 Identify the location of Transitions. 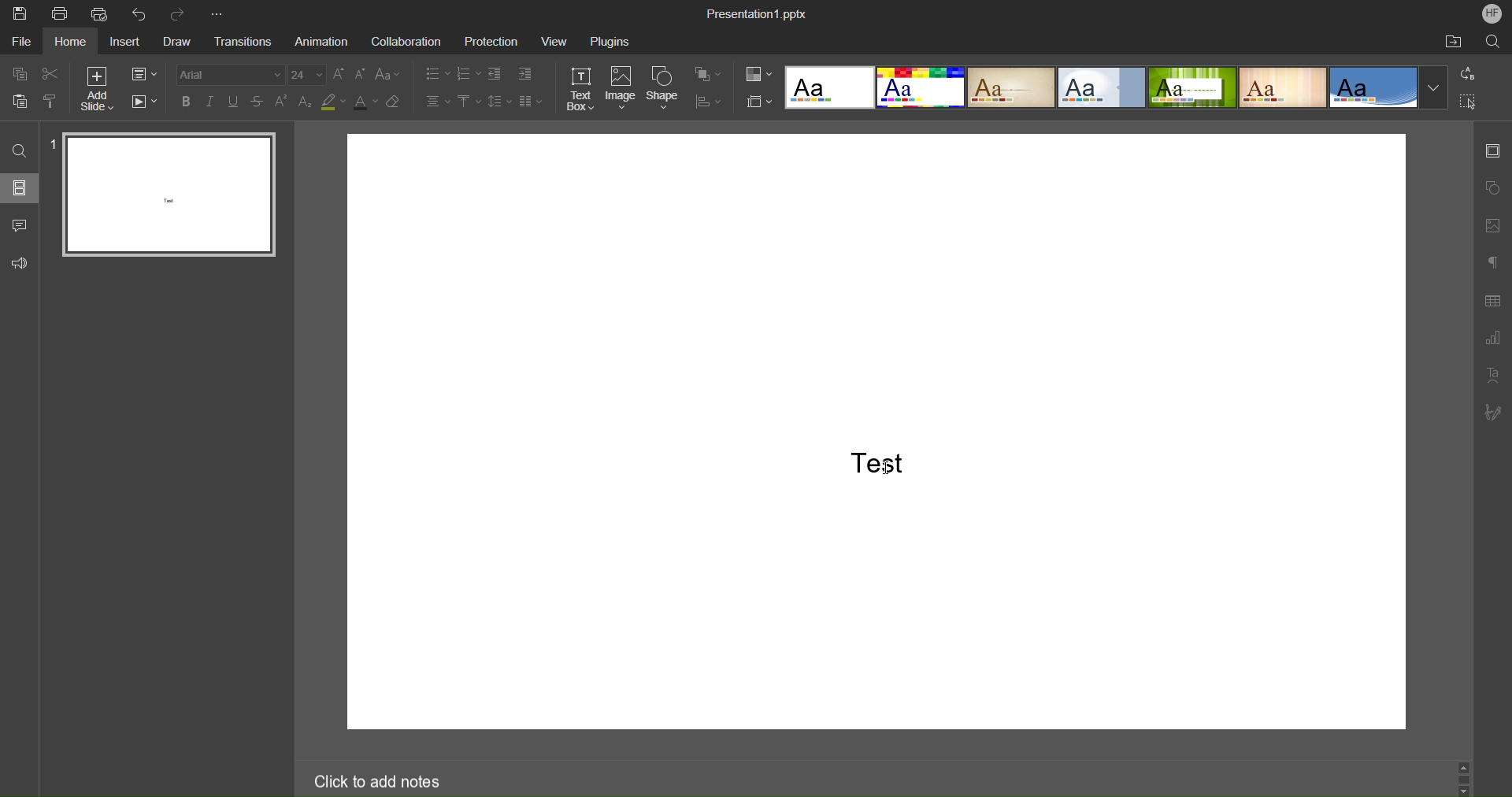
(247, 42).